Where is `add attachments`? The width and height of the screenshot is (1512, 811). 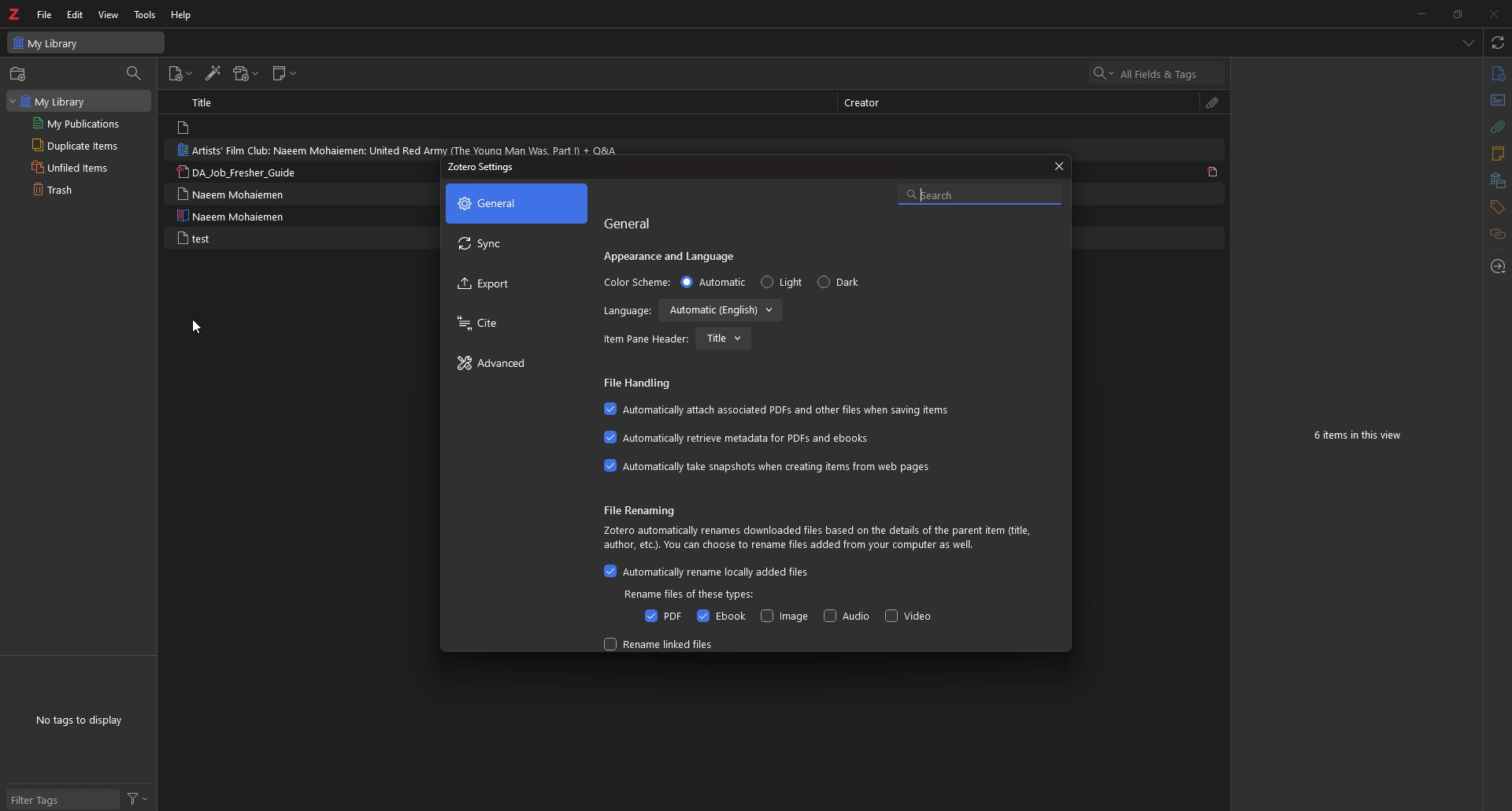
add attachments is located at coordinates (245, 73).